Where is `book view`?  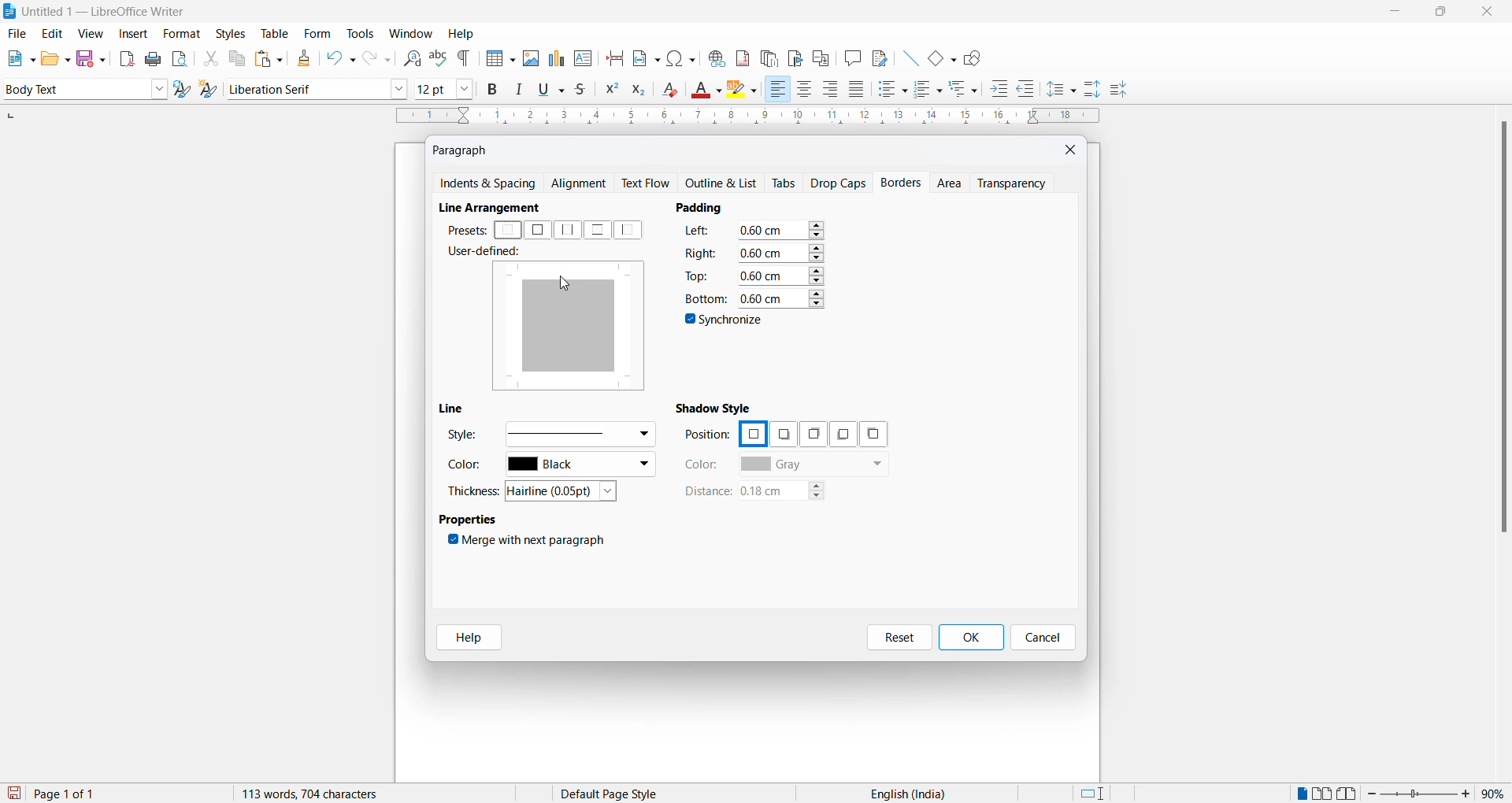
book view is located at coordinates (1351, 794).